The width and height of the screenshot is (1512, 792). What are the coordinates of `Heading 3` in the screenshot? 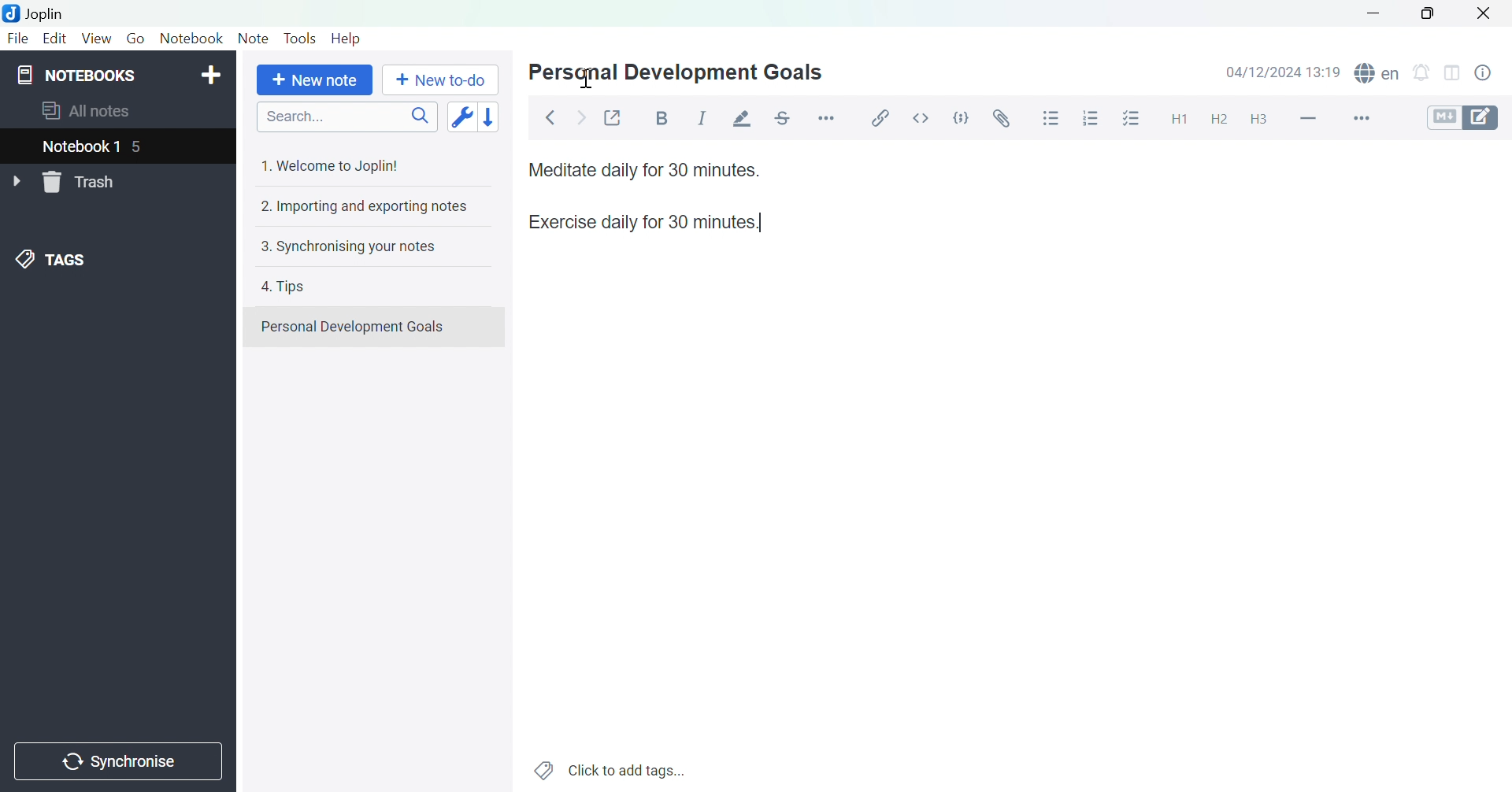 It's located at (1258, 120).